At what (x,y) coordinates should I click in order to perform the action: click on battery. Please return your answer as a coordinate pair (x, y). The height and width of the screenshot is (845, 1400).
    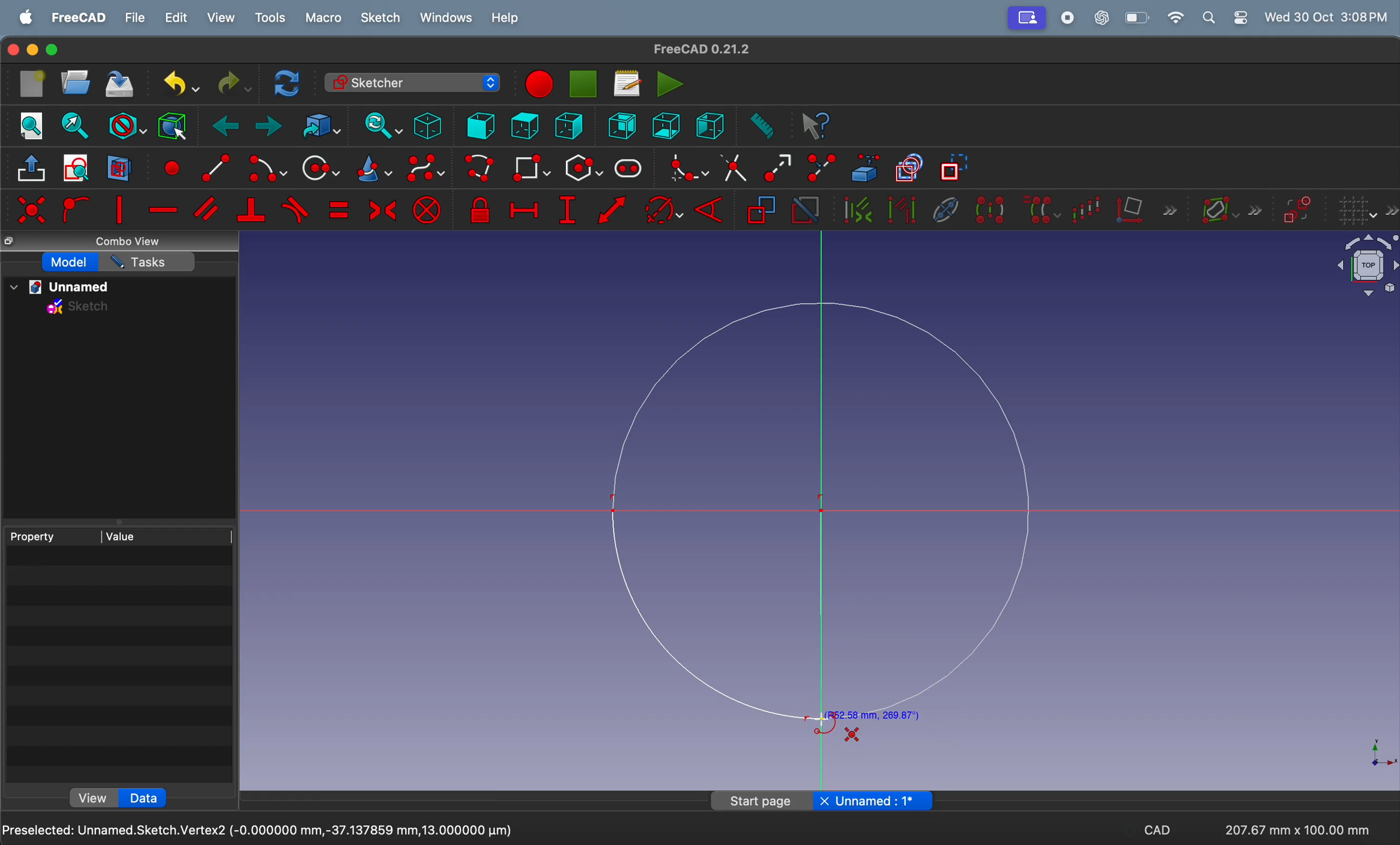
    Looking at the image, I should click on (1138, 18).